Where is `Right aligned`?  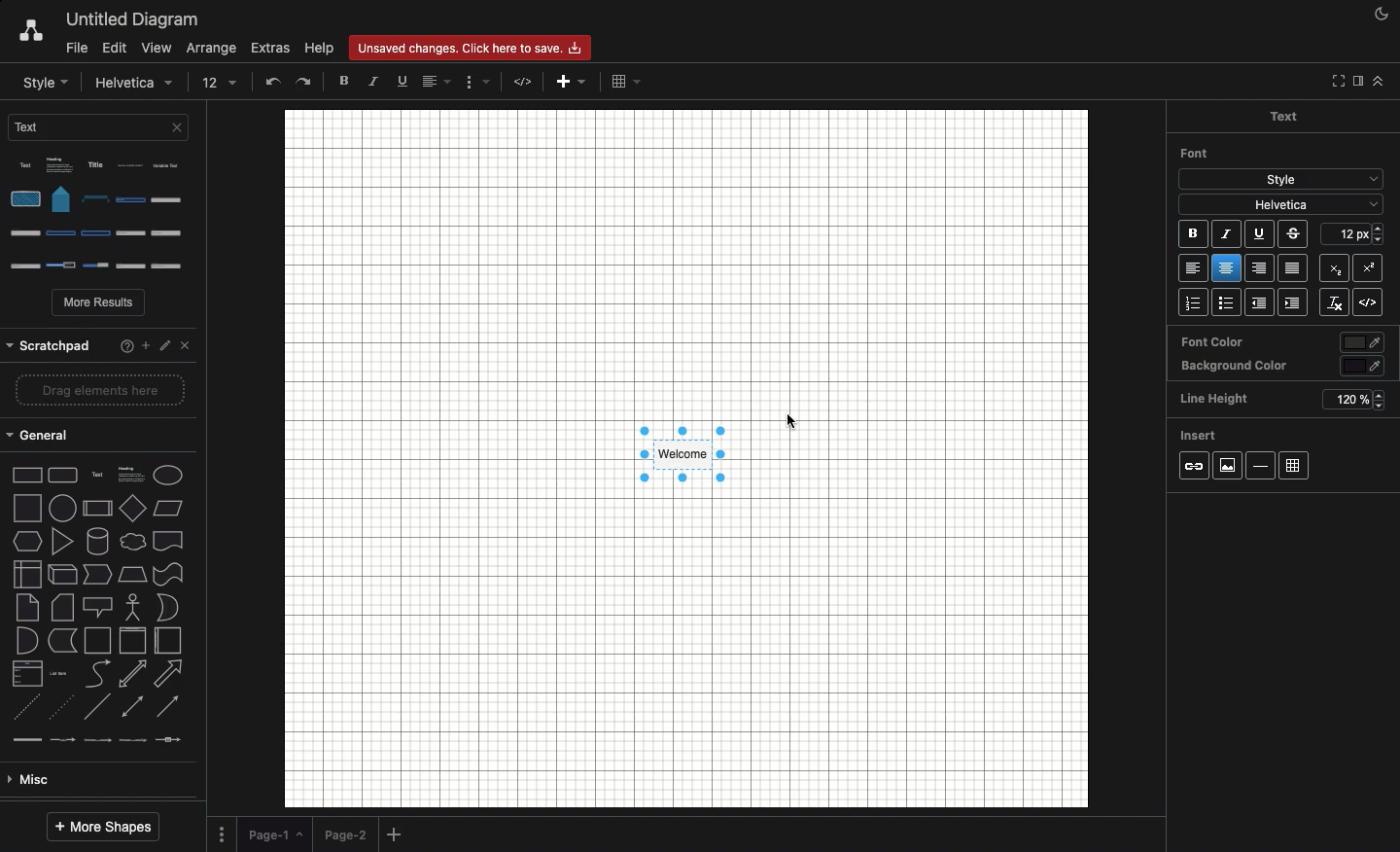 Right aligned is located at coordinates (1189, 268).